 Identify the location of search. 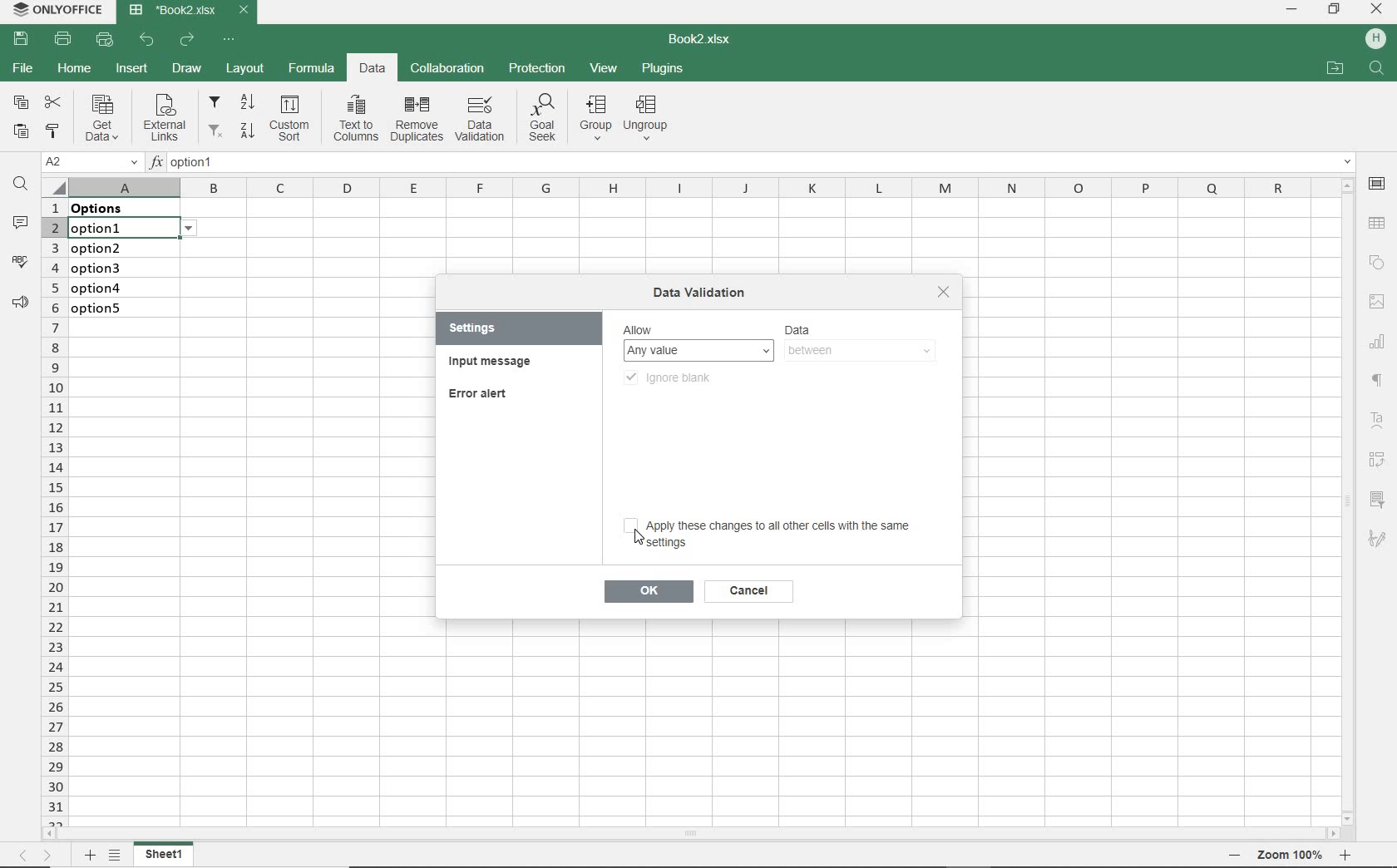
(1378, 70).